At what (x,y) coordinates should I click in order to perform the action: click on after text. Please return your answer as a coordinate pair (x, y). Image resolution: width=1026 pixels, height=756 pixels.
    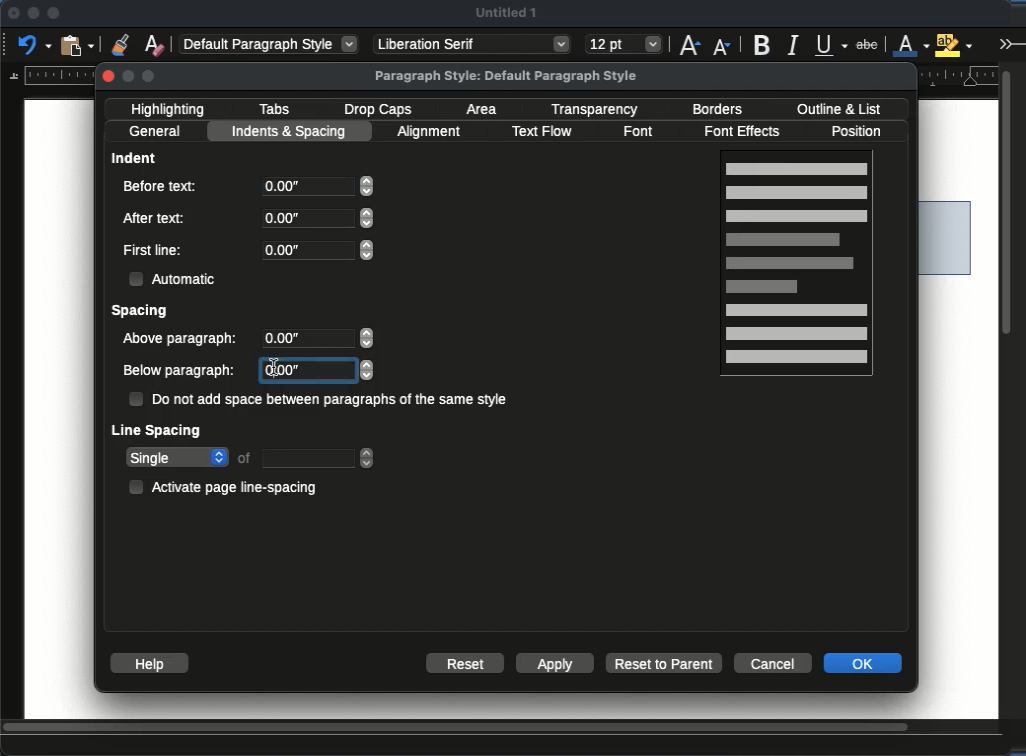
    Looking at the image, I should click on (157, 217).